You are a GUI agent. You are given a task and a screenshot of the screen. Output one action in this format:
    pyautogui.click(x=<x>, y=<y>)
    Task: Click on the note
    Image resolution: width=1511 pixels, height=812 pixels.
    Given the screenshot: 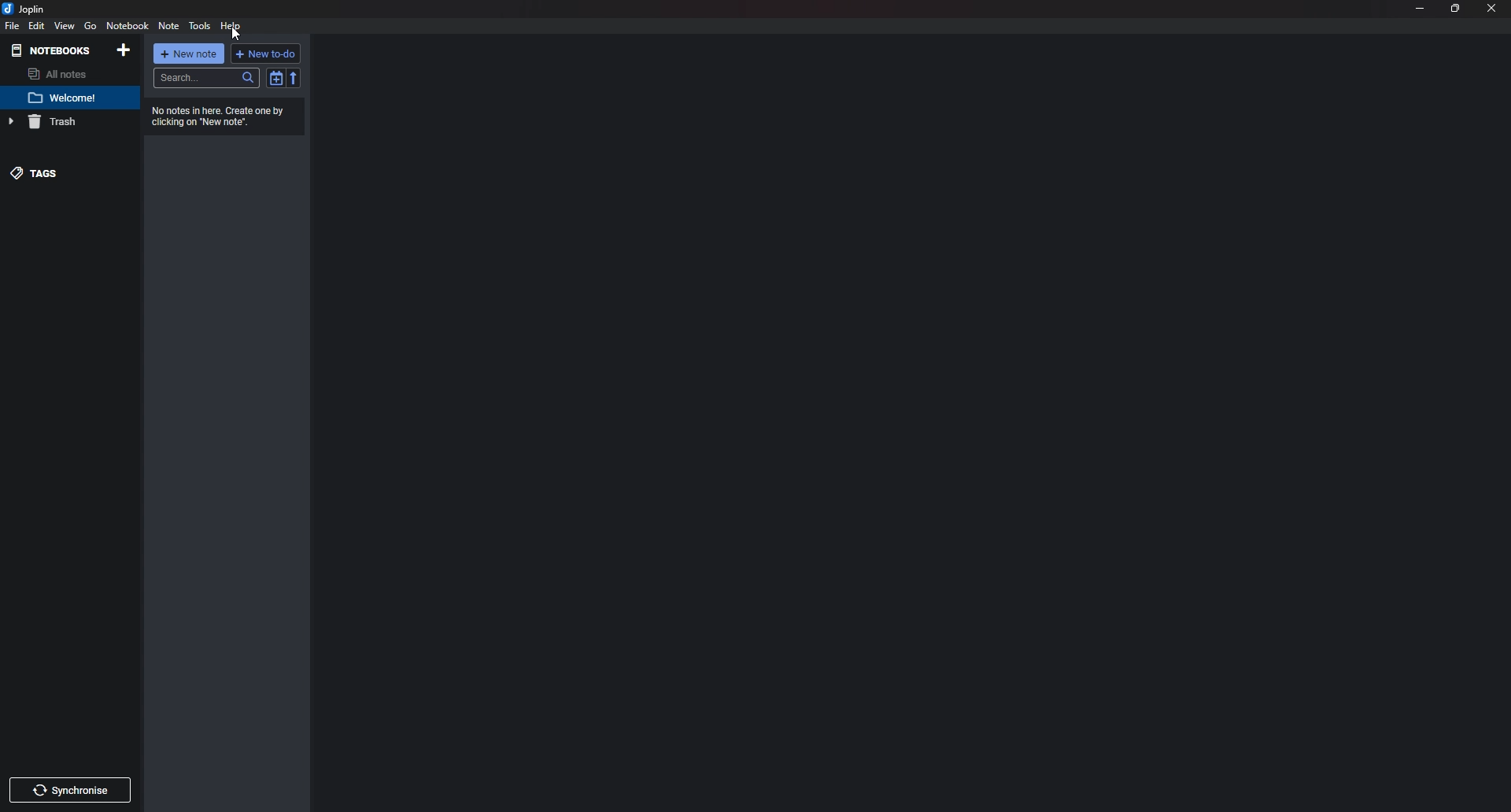 What is the action you would take?
    pyautogui.click(x=169, y=26)
    